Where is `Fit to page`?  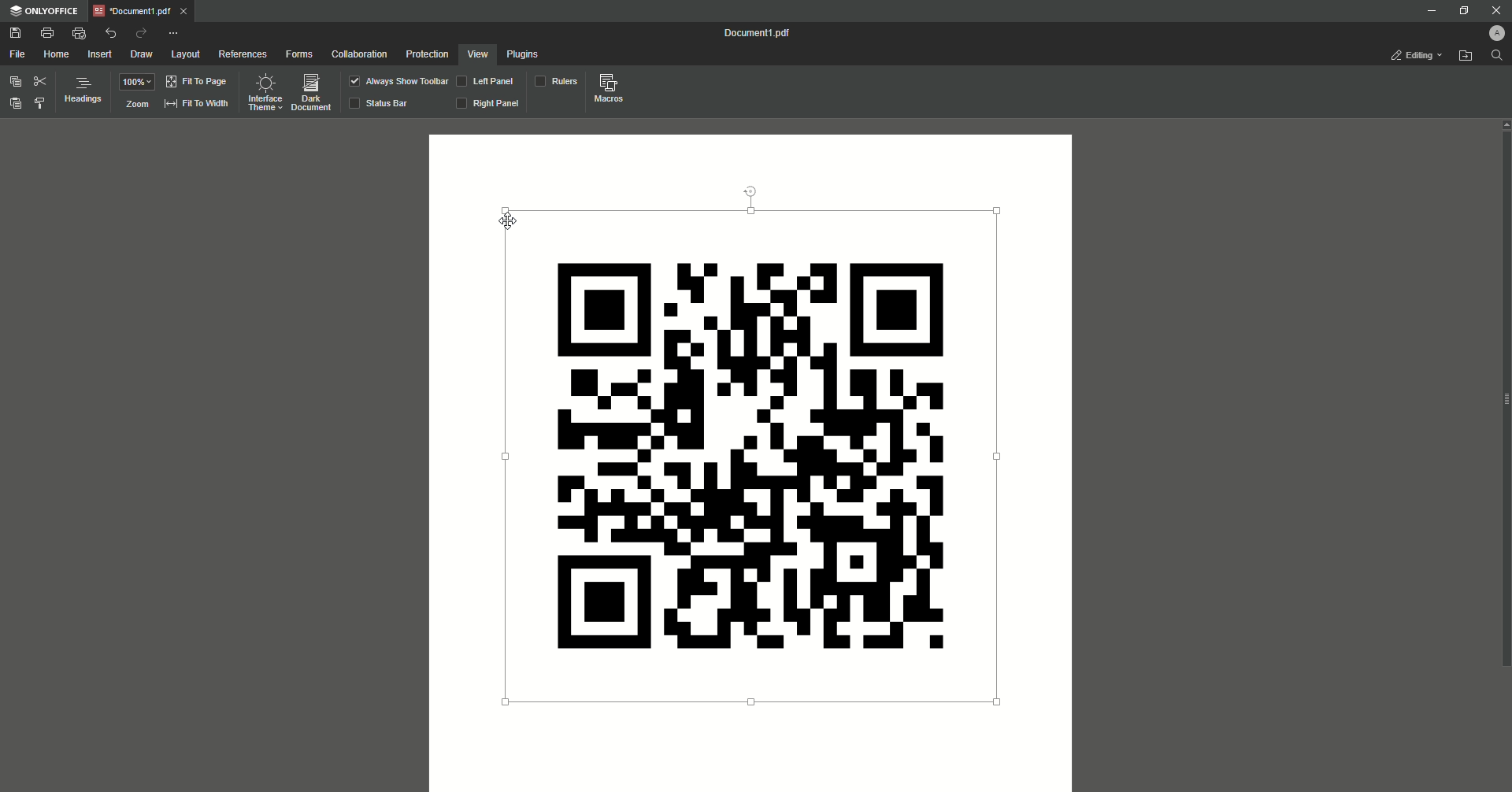 Fit to page is located at coordinates (197, 83).